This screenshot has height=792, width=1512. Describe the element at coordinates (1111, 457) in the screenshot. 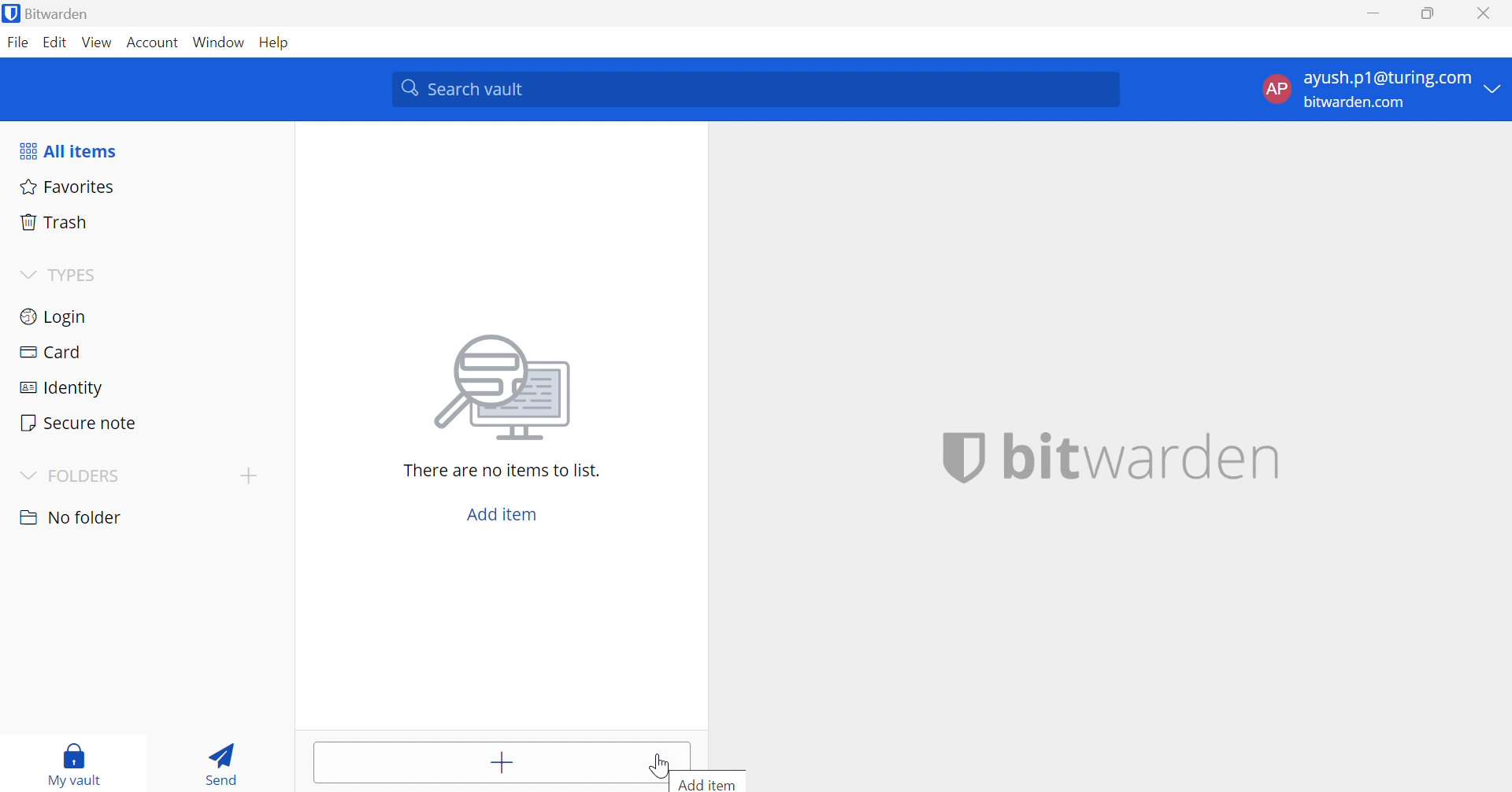

I see `bitwarden` at that location.